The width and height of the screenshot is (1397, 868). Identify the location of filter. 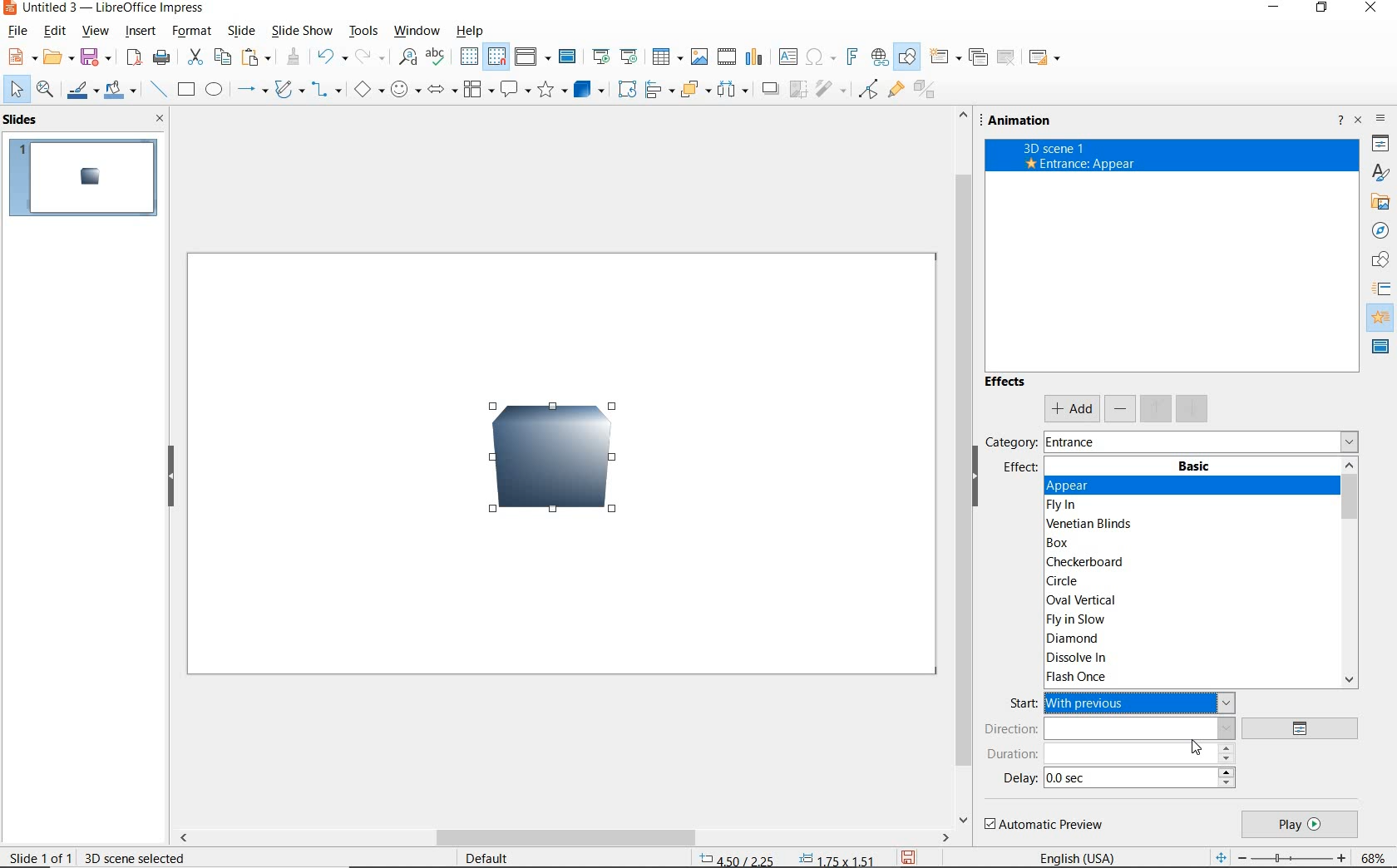
(830, 87).